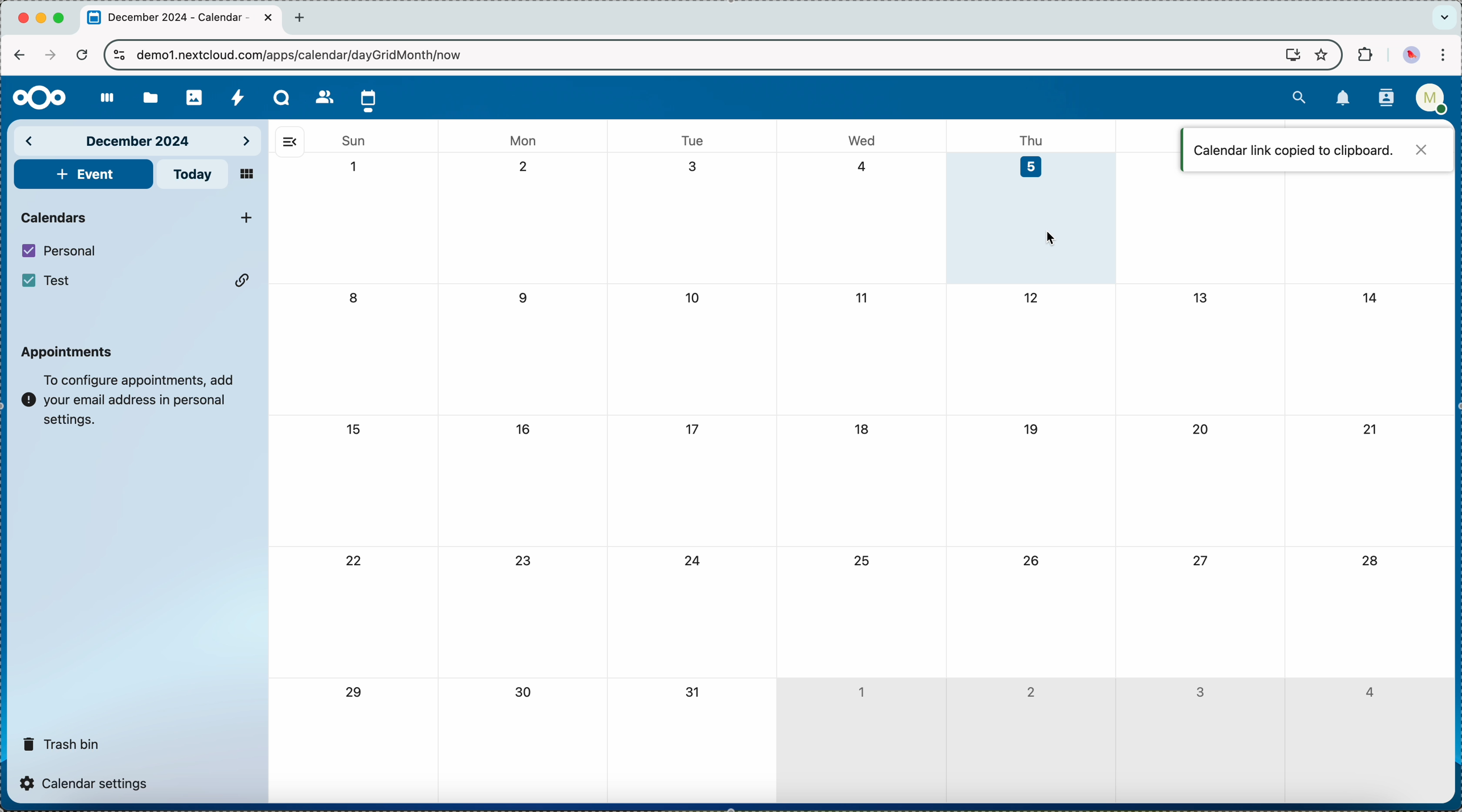 The width and height of the screenshot is (1462, 812). Describe the element at coordinates (238, 97) in the screenshot. I see `activity` at that location.